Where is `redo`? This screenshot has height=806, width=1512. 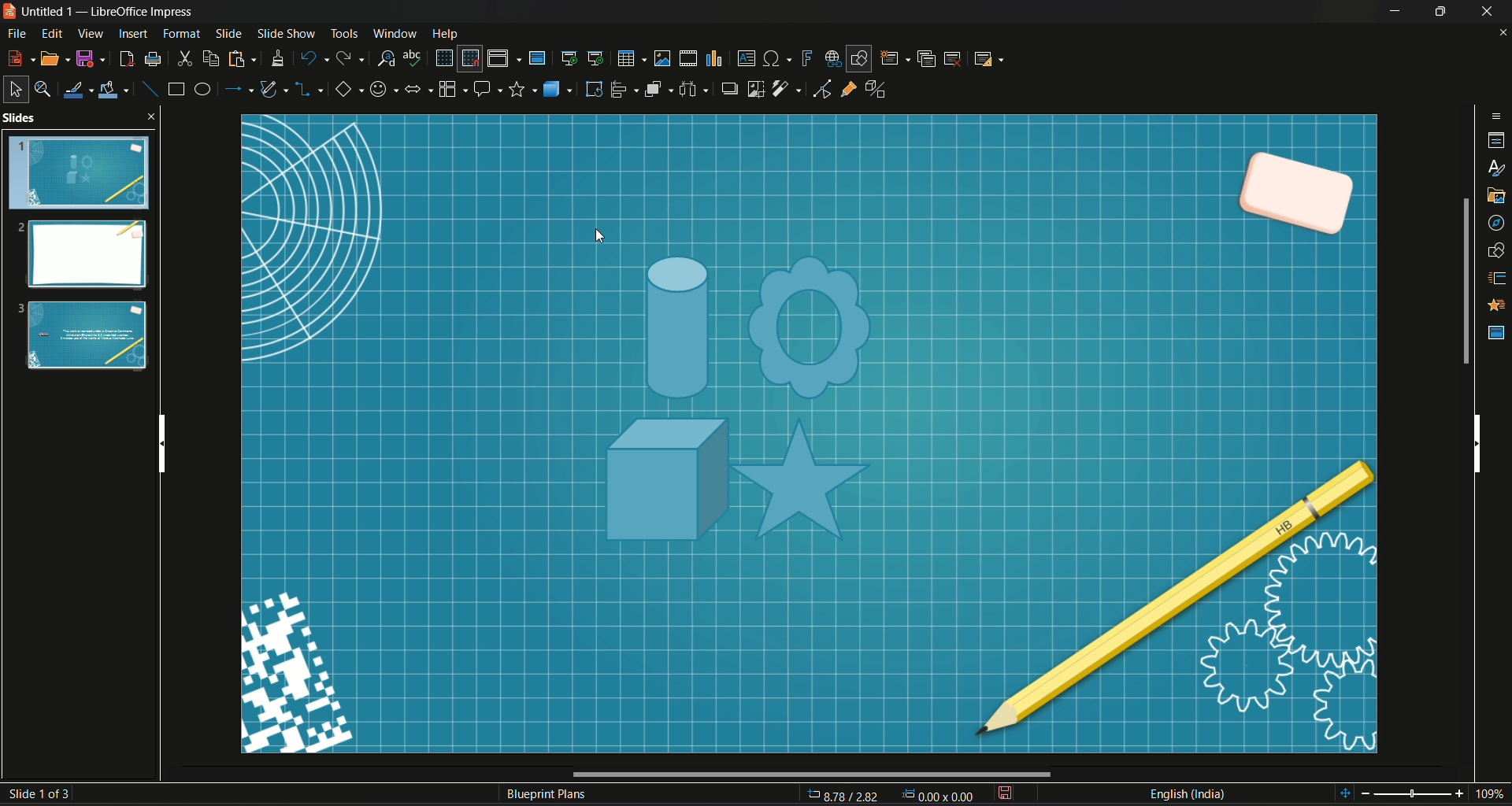
redo is located at coordinates (350, 57).